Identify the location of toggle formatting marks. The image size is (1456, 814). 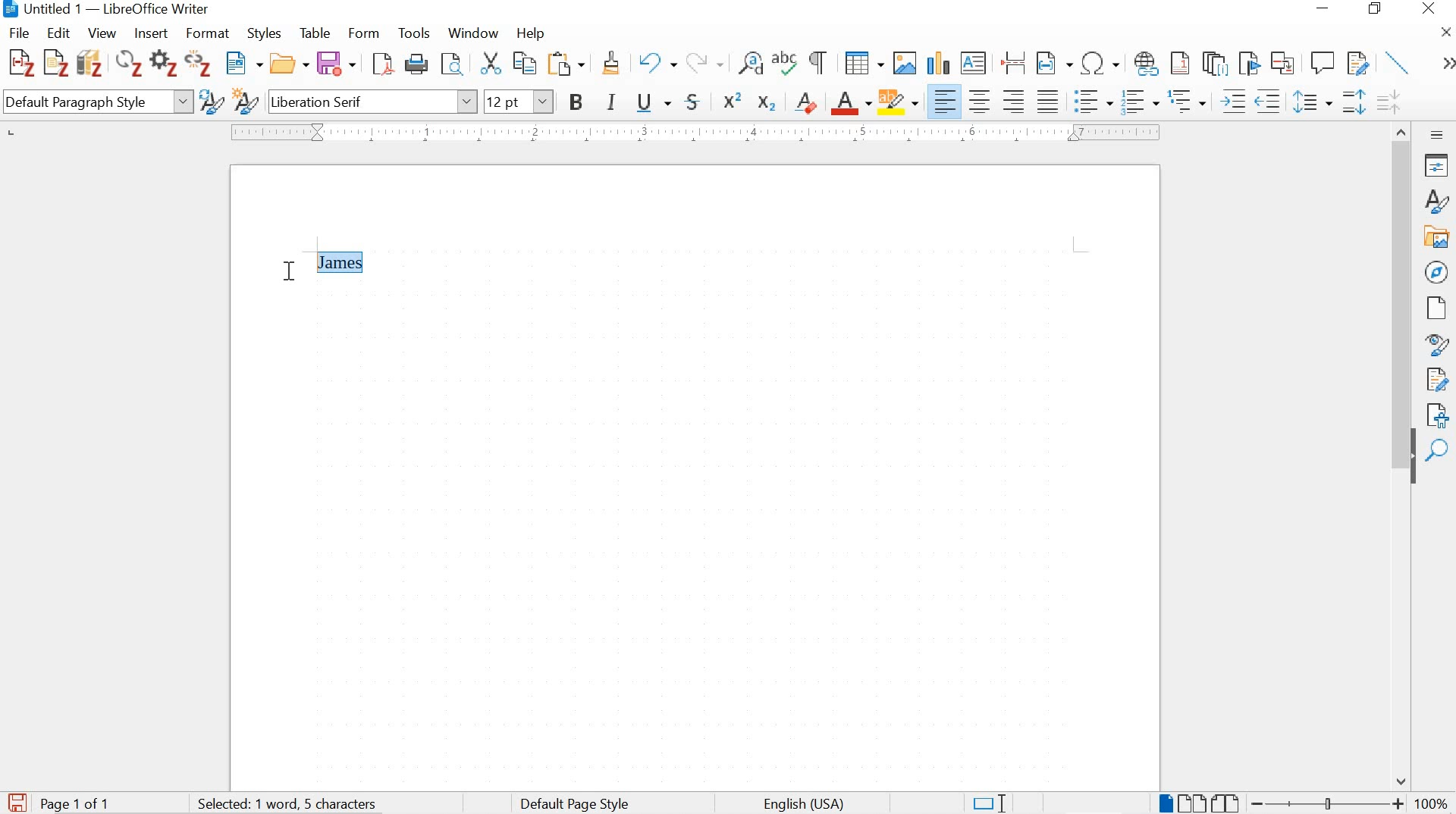
(819, 62).